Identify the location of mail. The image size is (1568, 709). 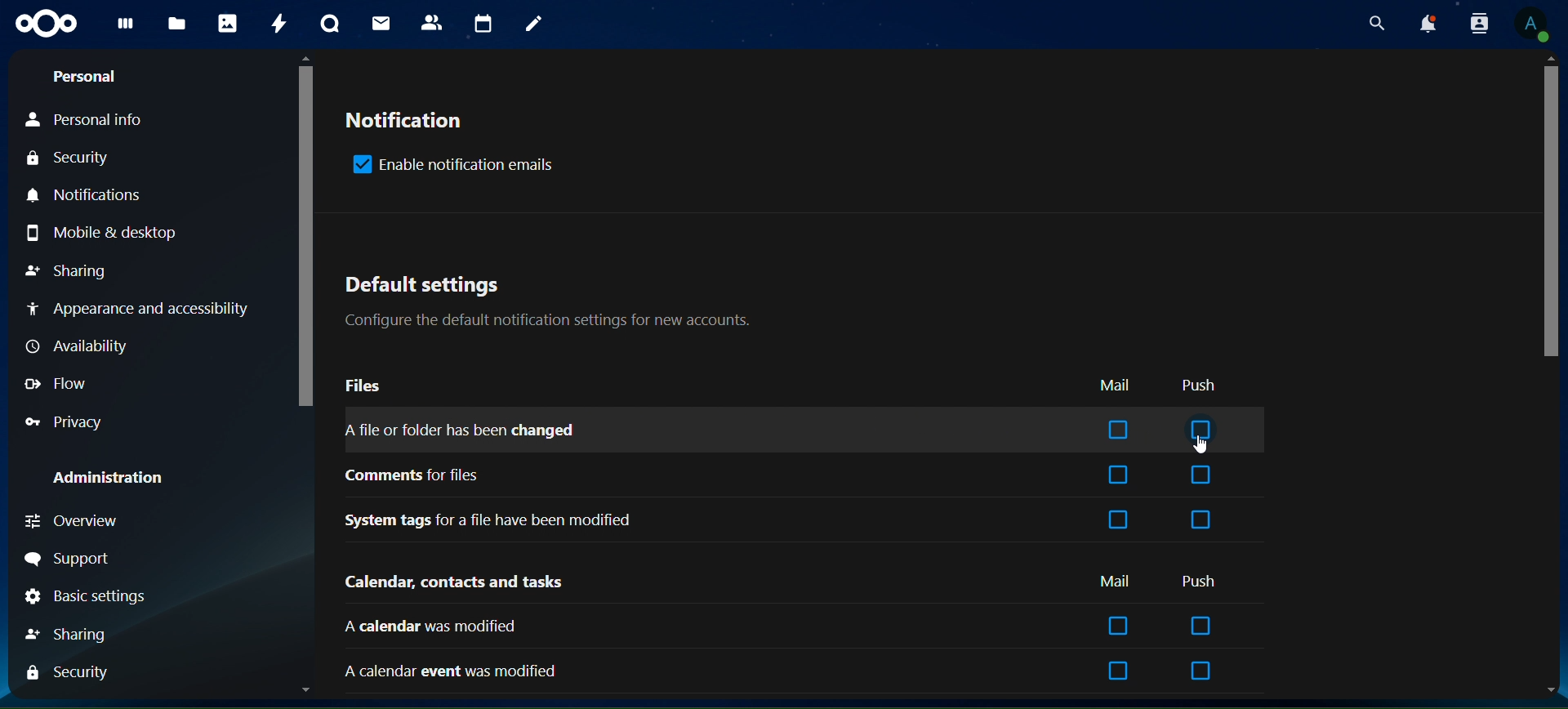
(381, 24).